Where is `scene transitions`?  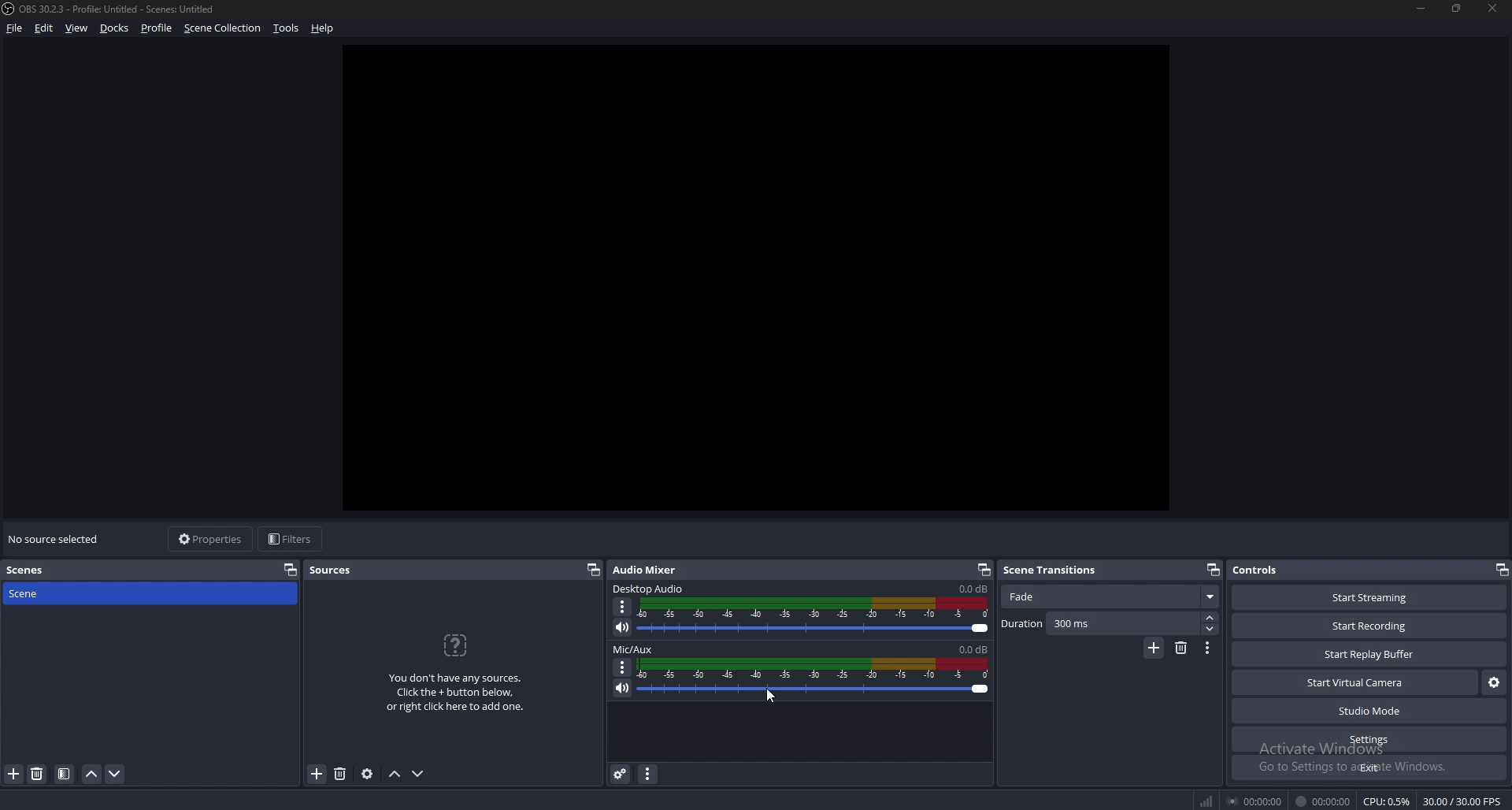
scene transitions is located at coordinates (1054, 570).